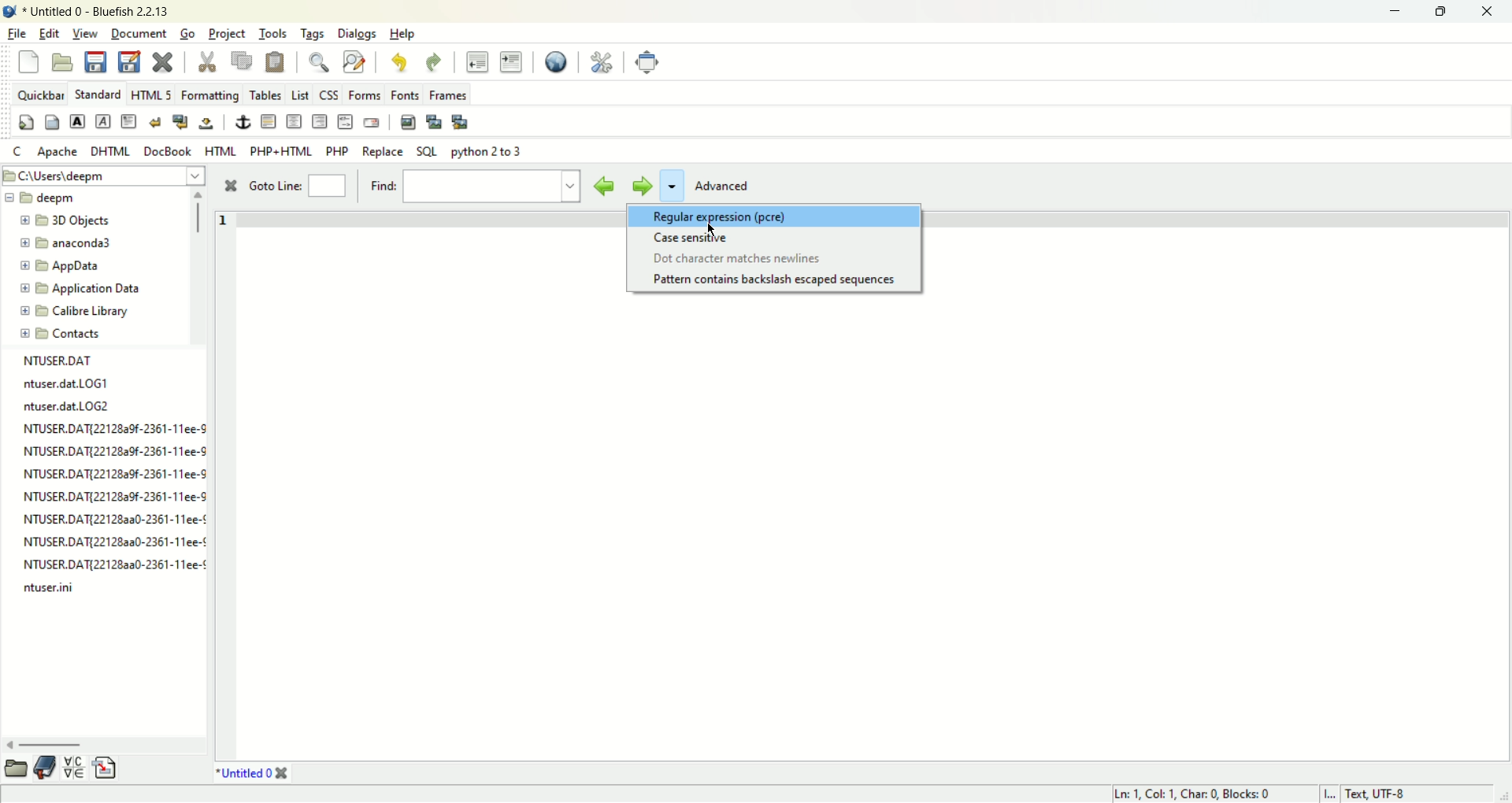 Image resolution: width=1512 pixels, height=803 pixels. Describe the element at coordinates (114, 522) in the screenshot. I see `NTUSER.DAT{221282a0-2361-11ee-¢` at that location.